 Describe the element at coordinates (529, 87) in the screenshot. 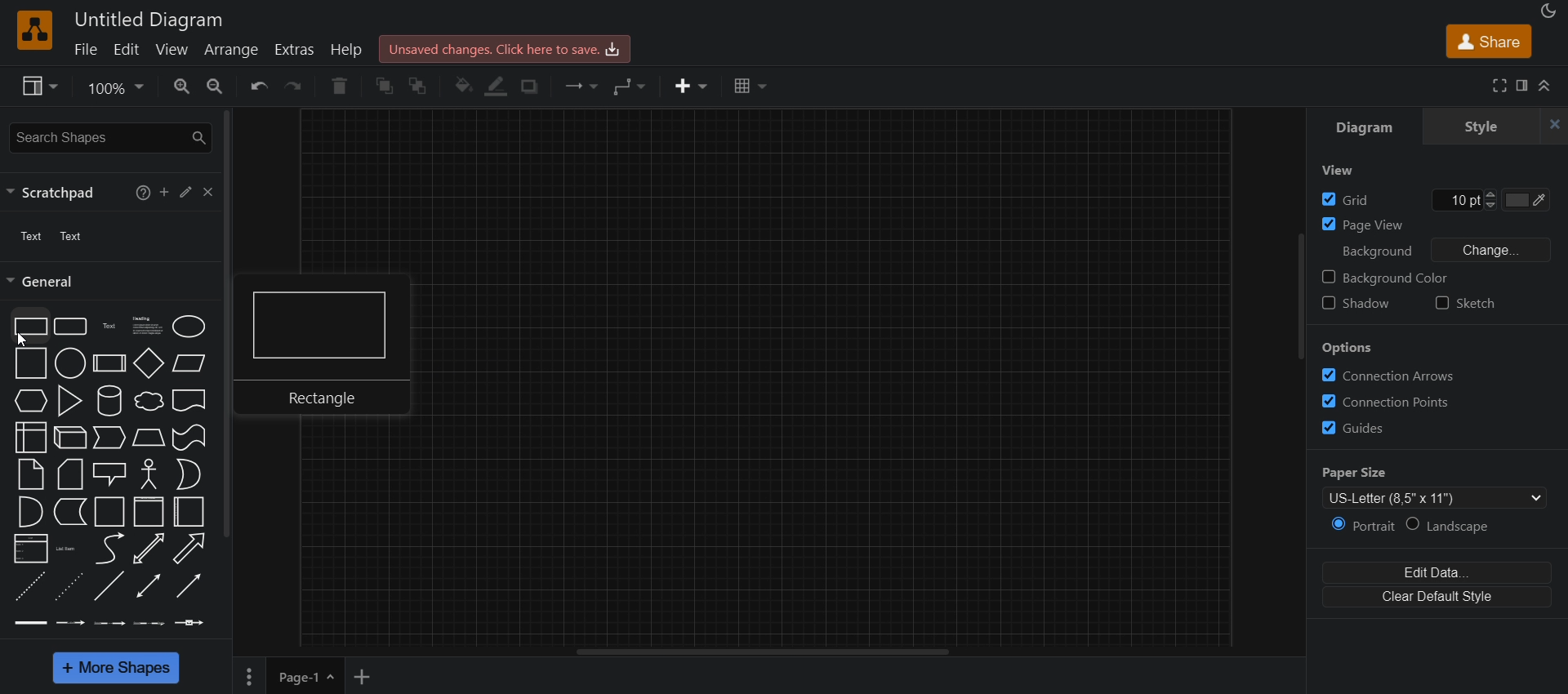

I see `shadows` at that location.